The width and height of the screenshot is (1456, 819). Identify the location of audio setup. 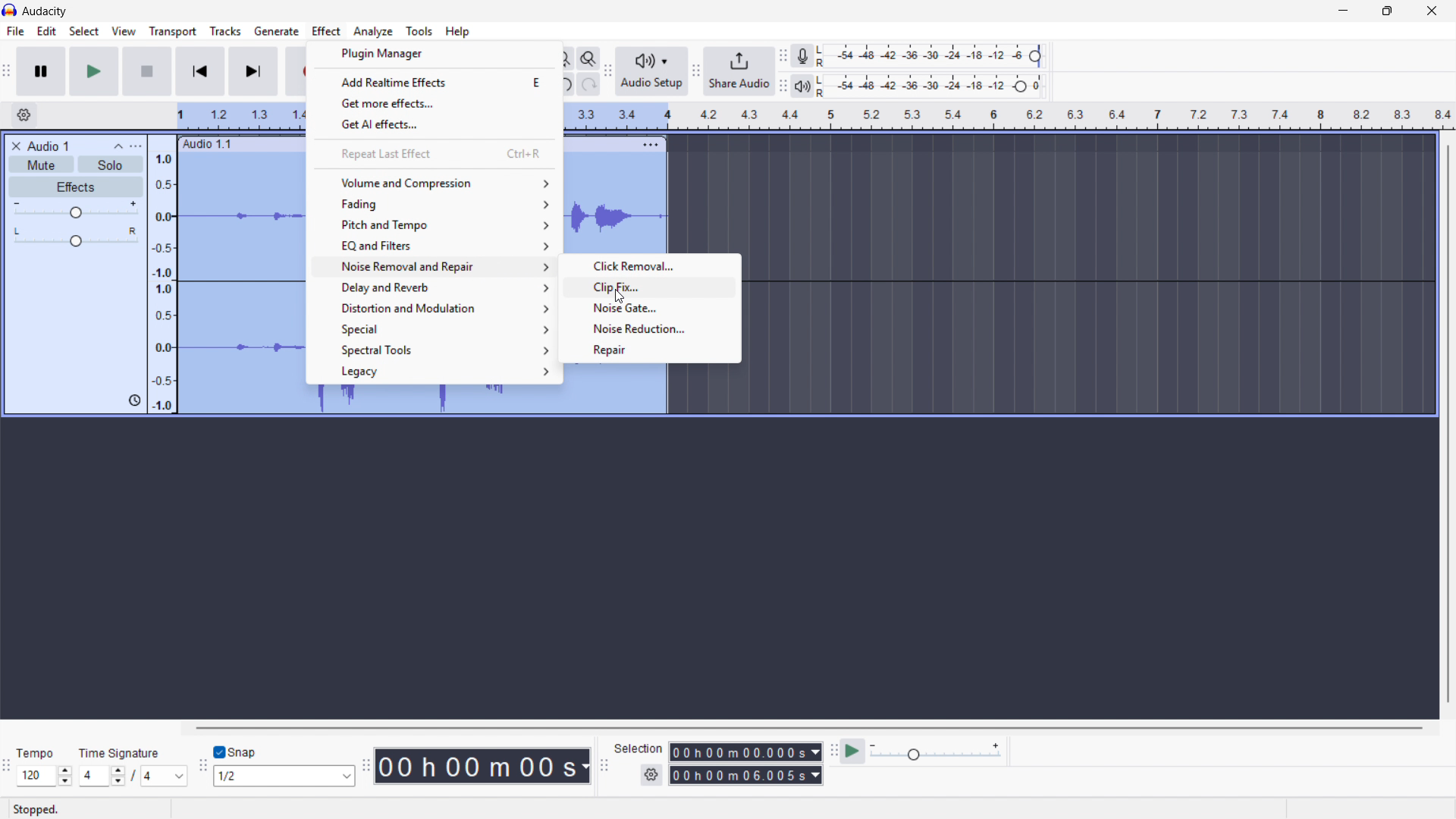
(652, 71).